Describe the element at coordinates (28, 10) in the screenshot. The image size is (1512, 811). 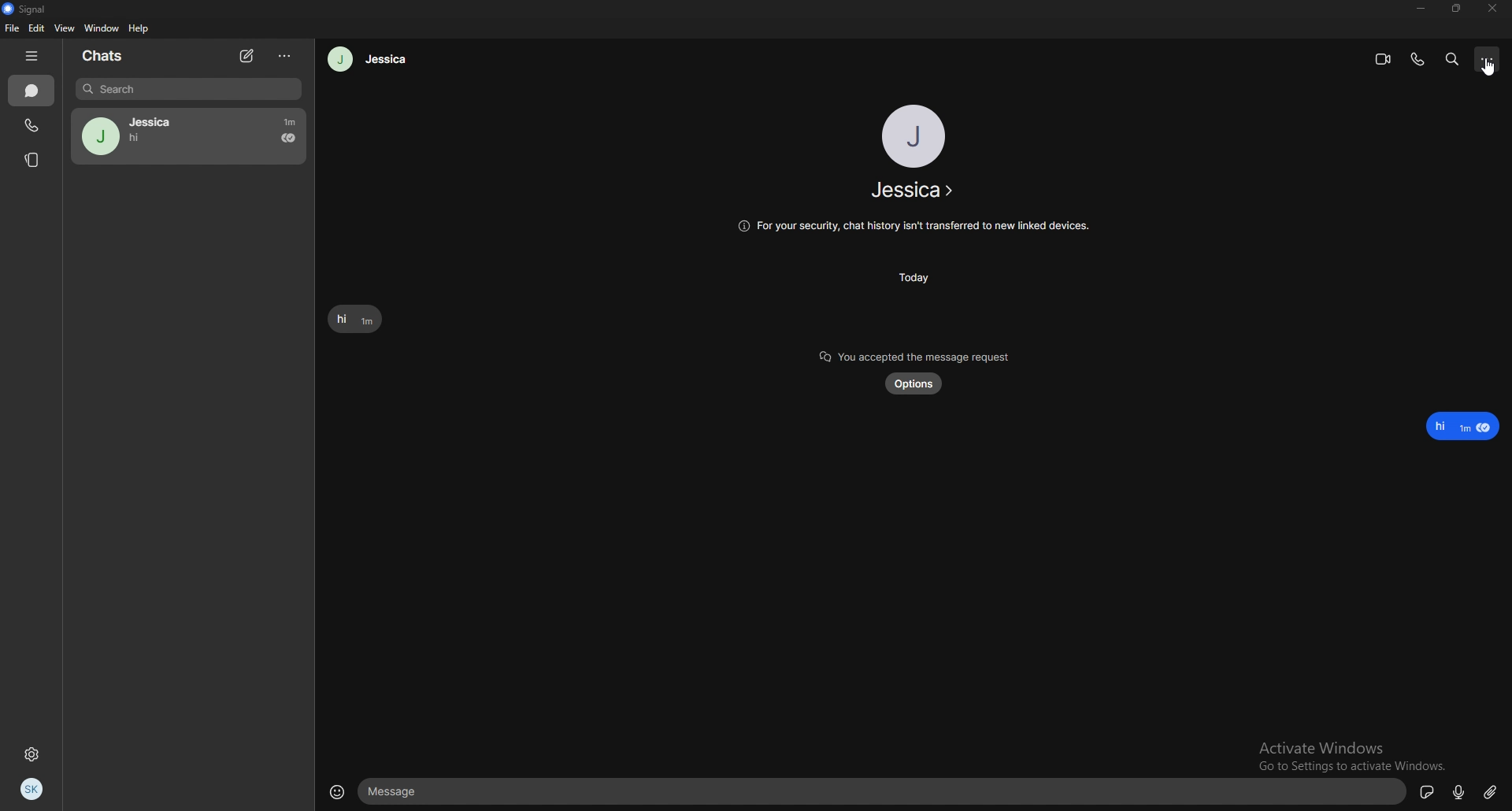
I see `signal` at that location.